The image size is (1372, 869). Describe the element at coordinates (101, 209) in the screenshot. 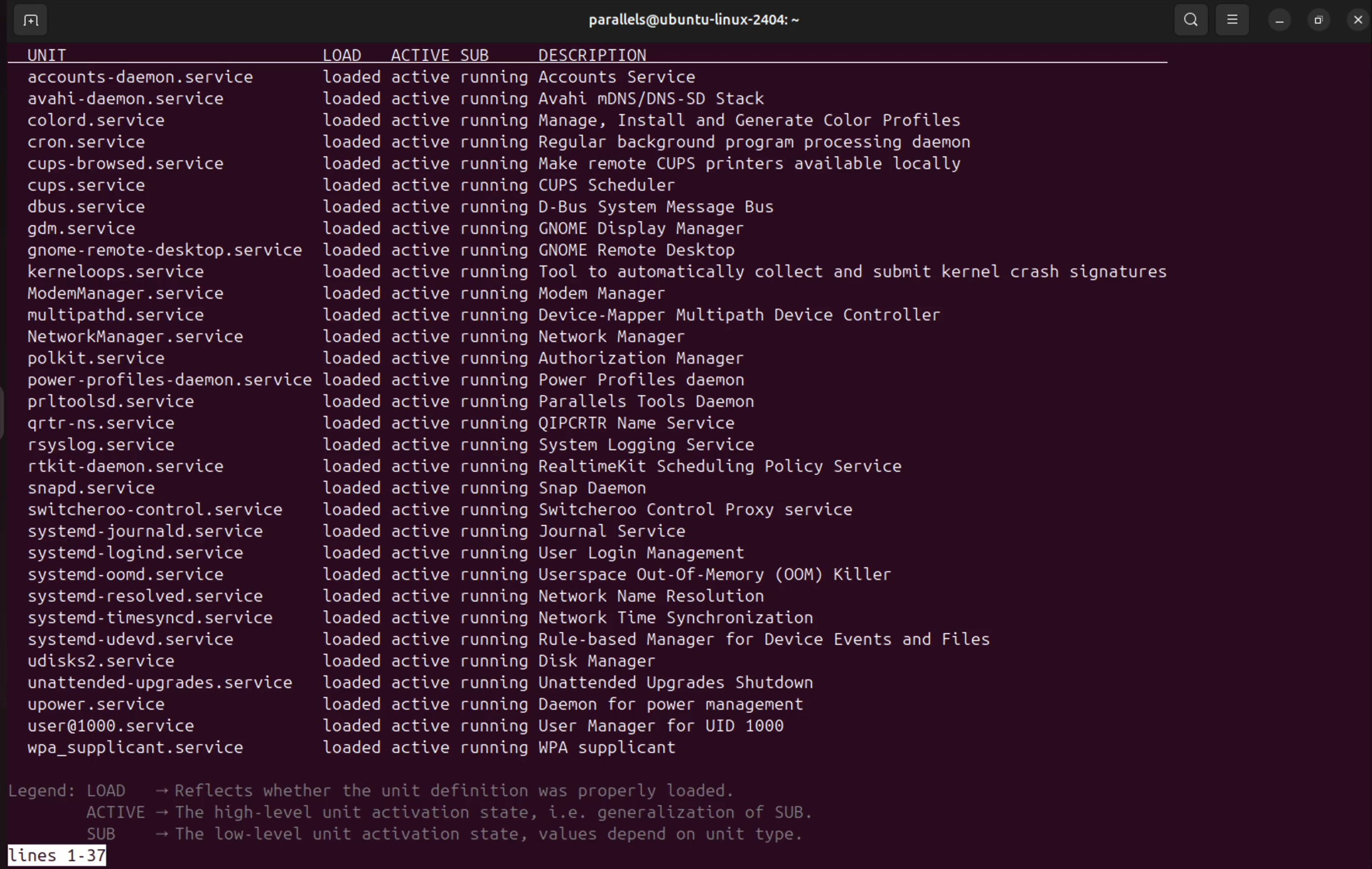

I see `dubs service` at that location.